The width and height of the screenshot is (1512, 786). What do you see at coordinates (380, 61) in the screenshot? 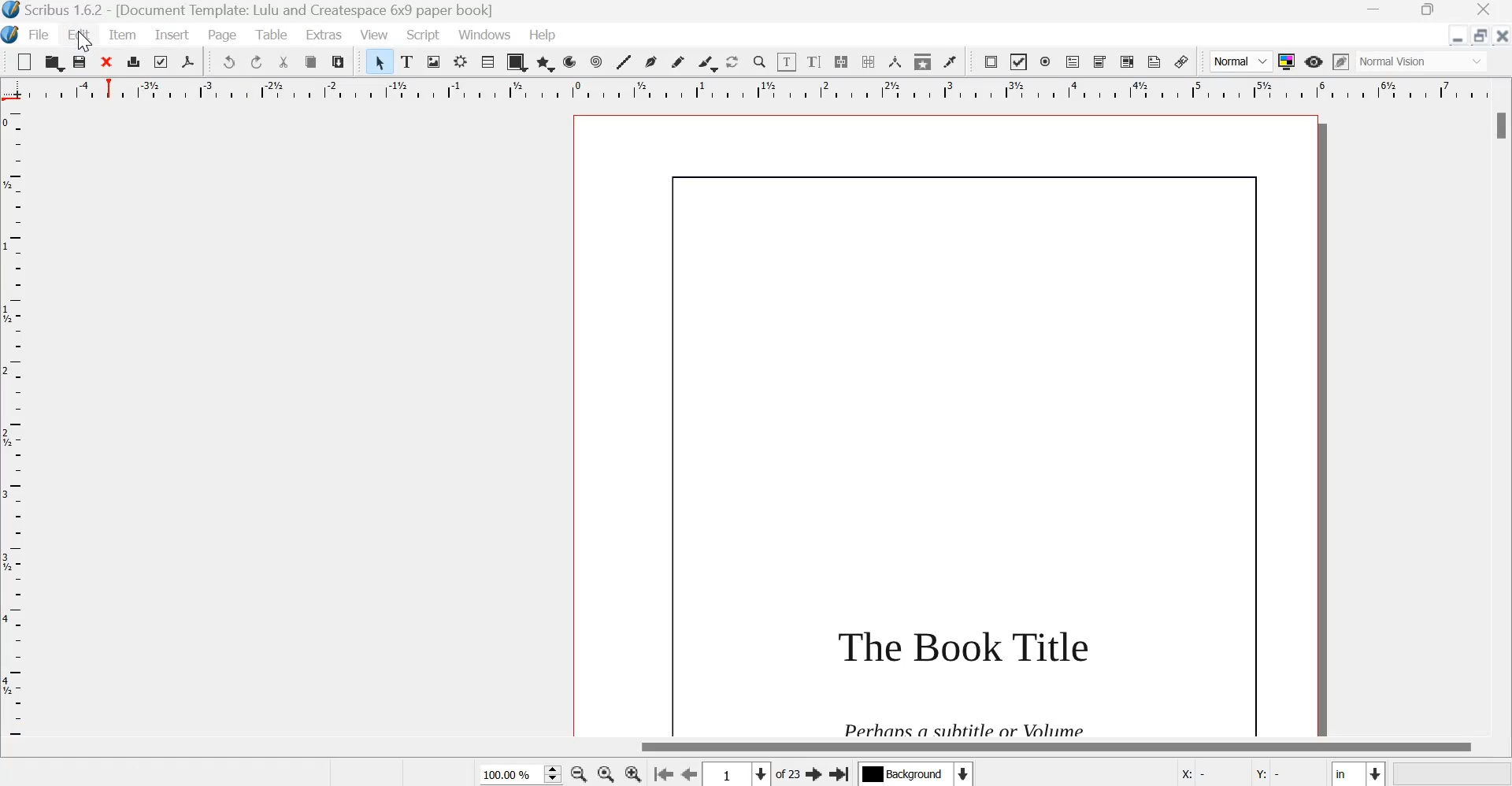
I see `Select item` at bounding box center [380, 61].